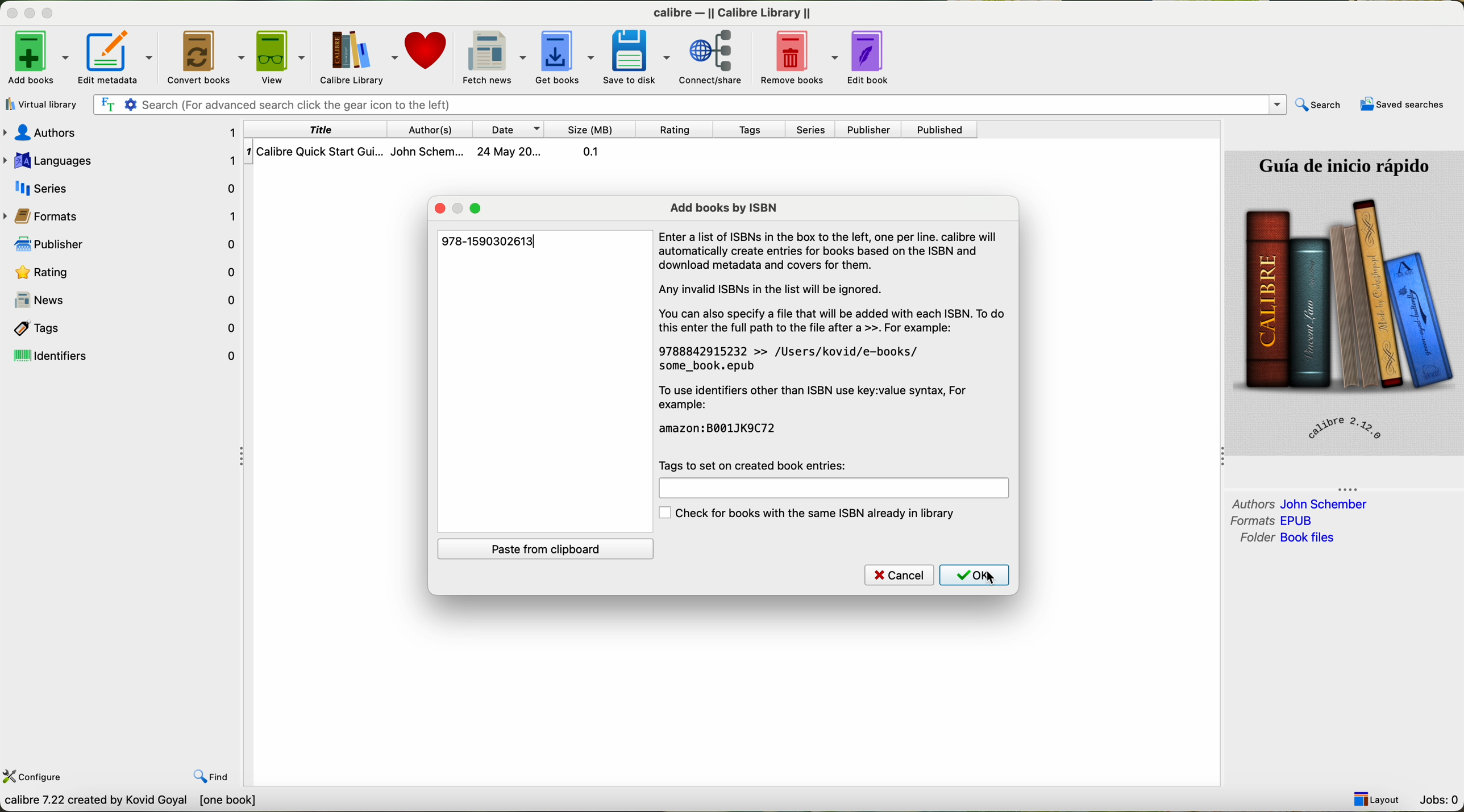  I want to click on get books, so click(567, 57).